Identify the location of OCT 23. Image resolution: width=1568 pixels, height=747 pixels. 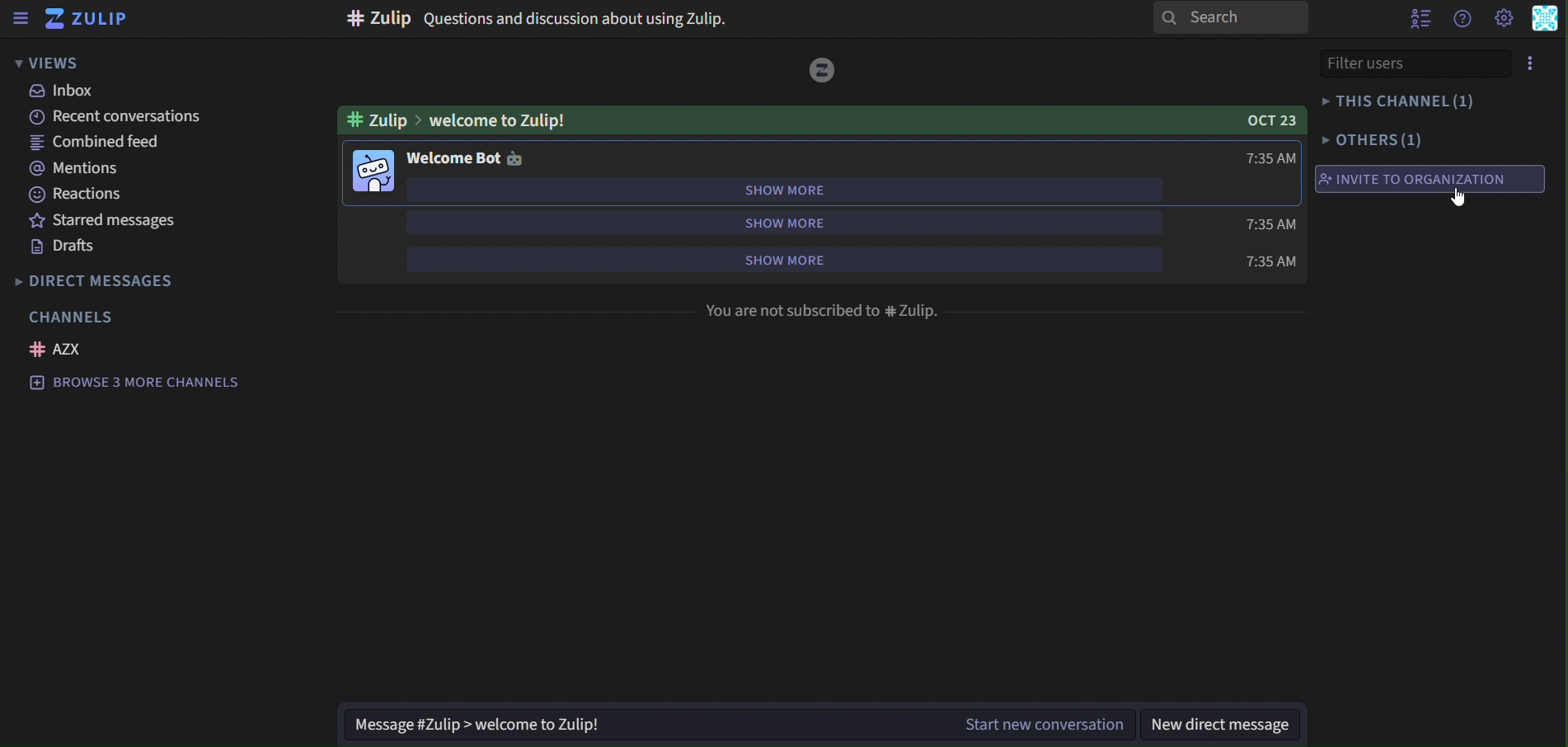
(1270, 120).